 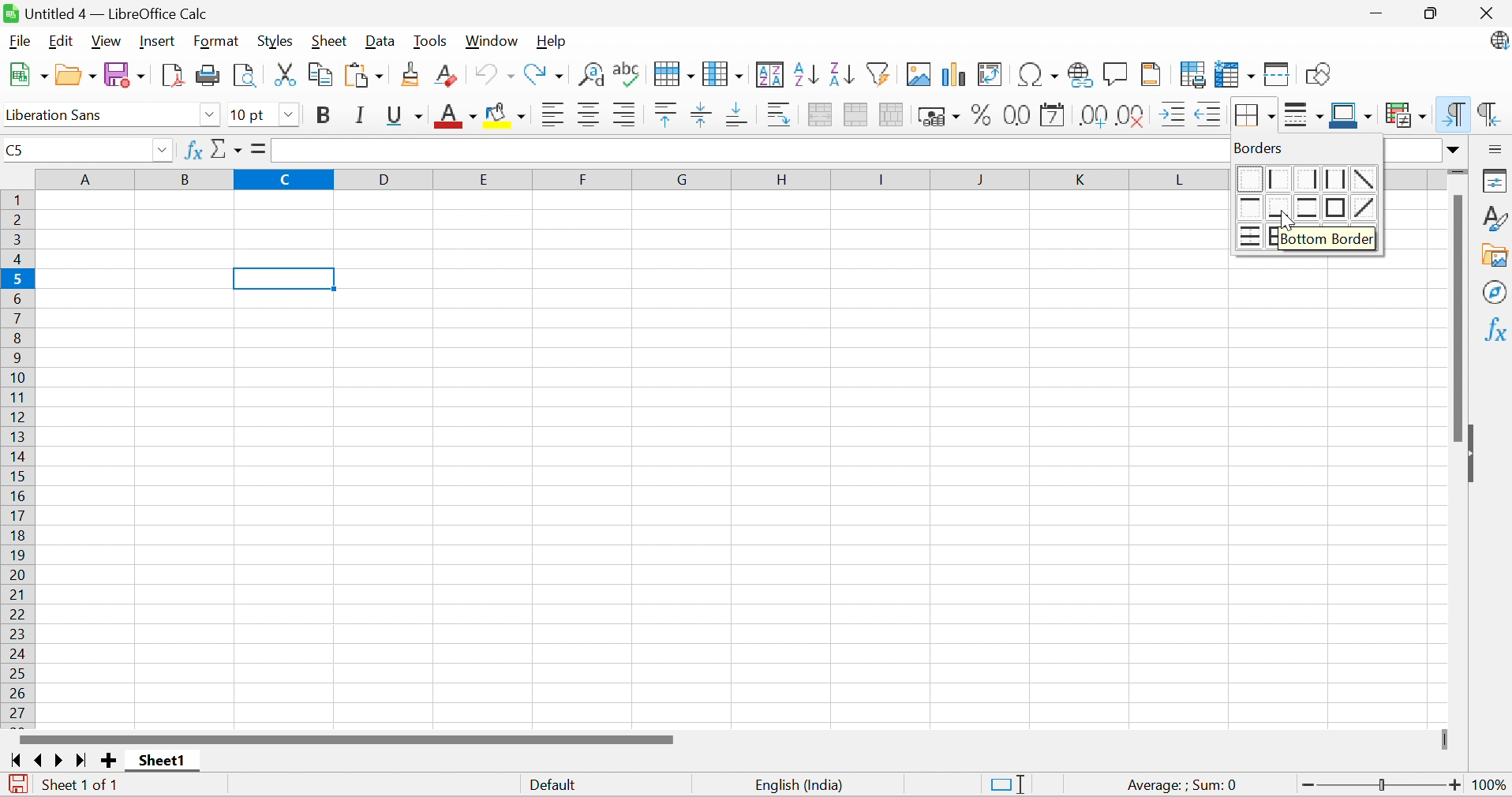 I want to click on Spelling, so click(x=628, y=75).